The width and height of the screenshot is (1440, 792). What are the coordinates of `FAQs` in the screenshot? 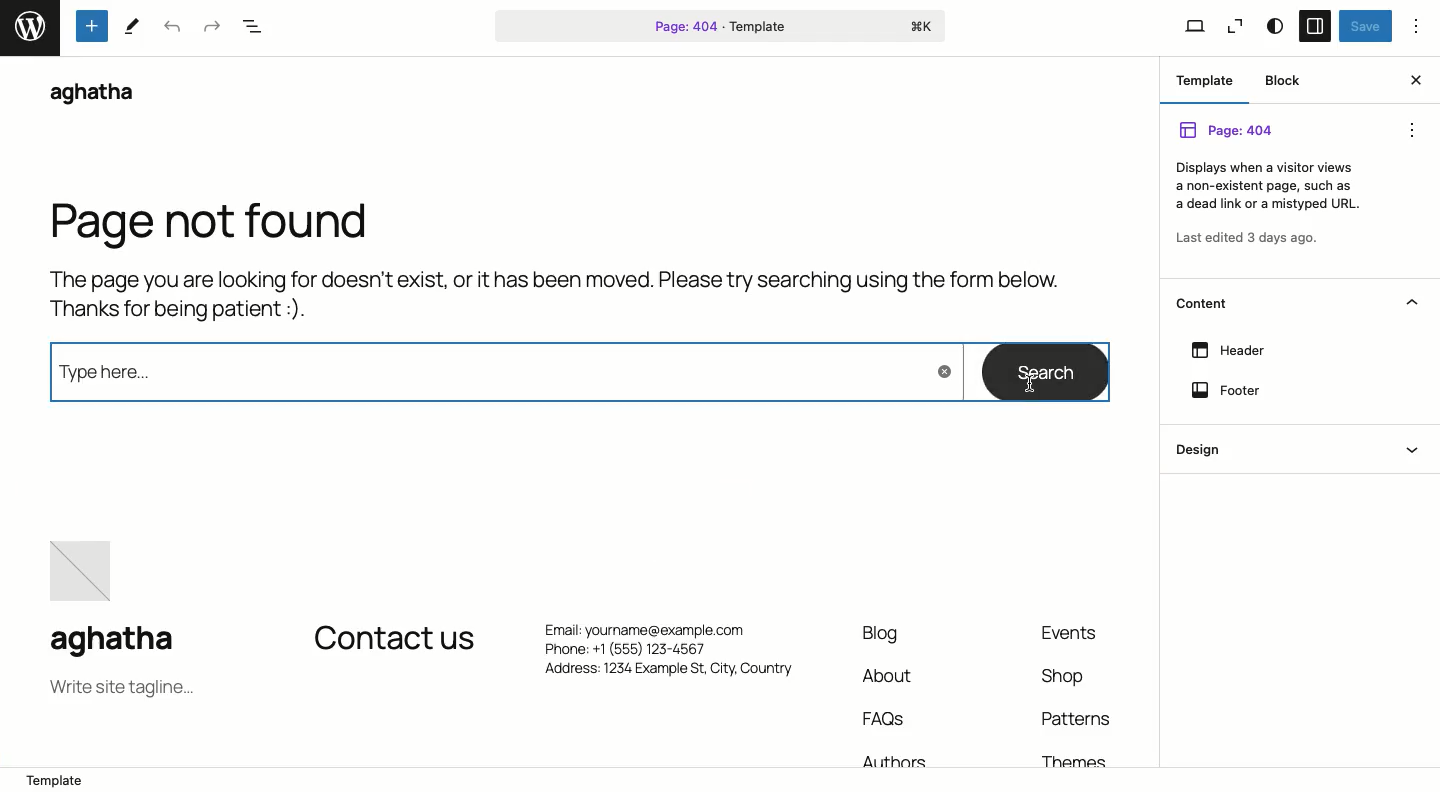 It's located at (887, 719).